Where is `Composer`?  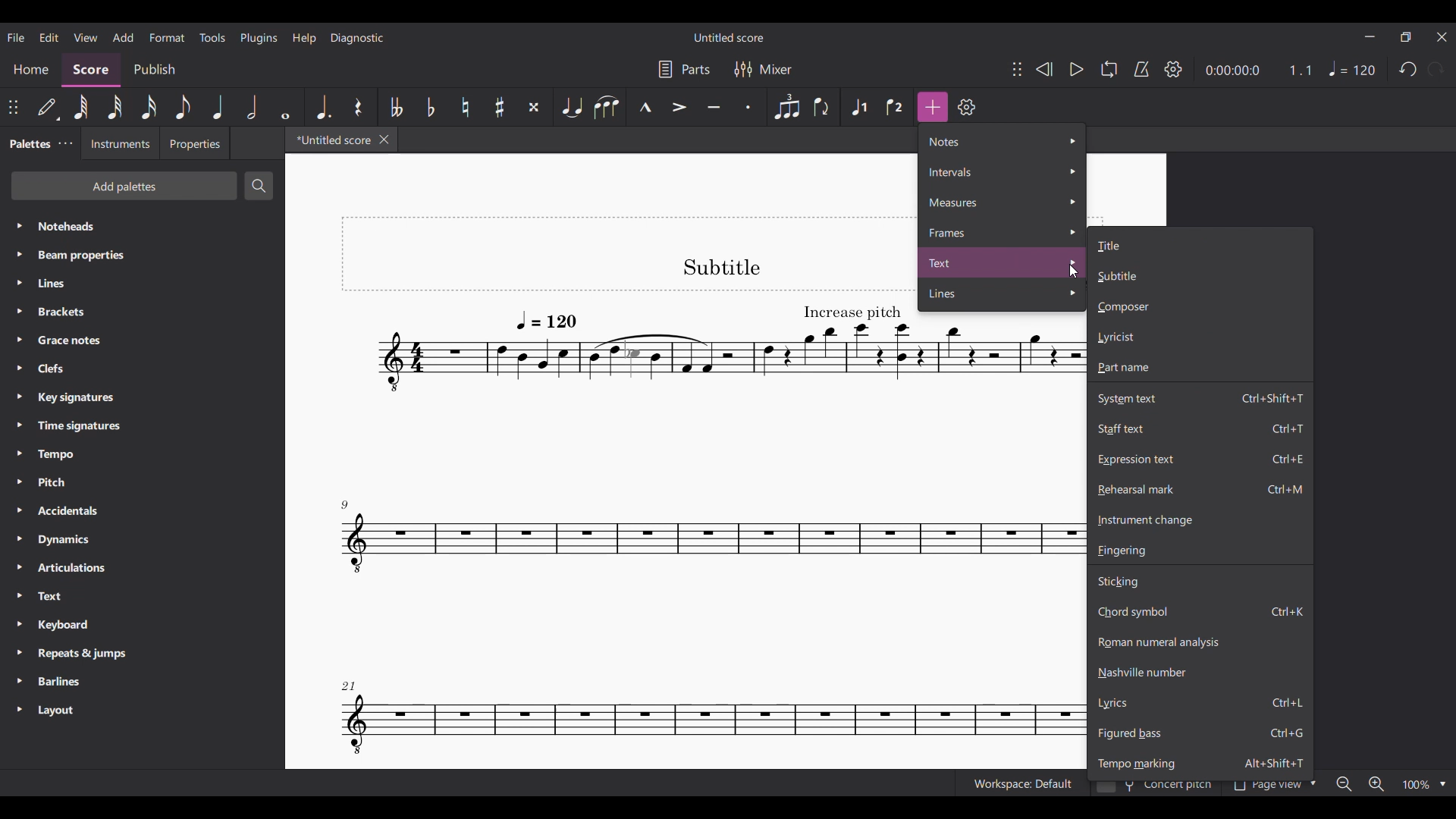
Composer is located at coordinates (1200, 307).